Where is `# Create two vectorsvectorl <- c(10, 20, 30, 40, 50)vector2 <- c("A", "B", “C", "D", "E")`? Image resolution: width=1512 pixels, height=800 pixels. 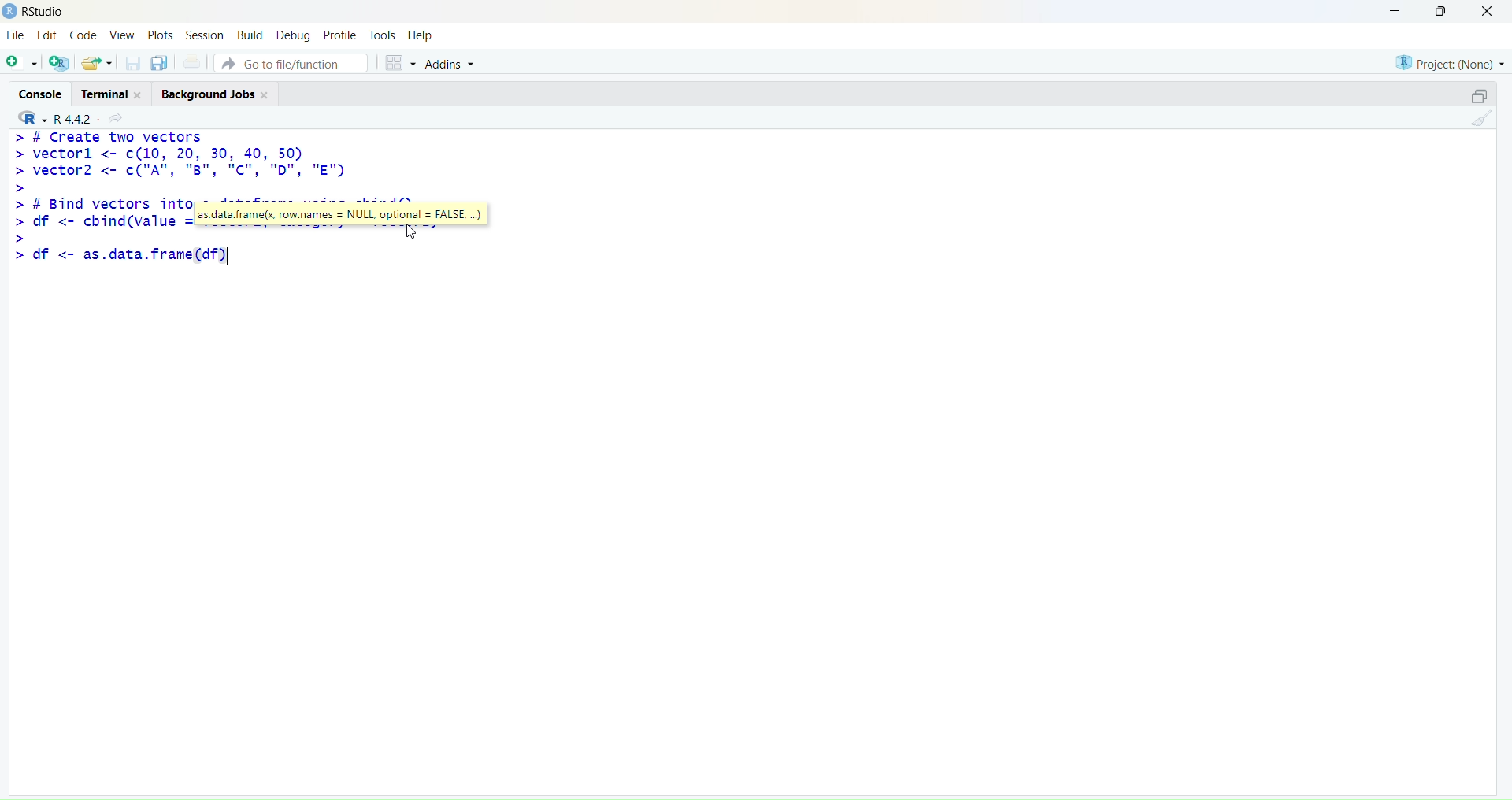
# Create two vectorsvectorl <- c(10, 20, 30, 40, 50)vector2 <- c("A", "B", “C", "D", "E") is located at coordinates (180, 162).